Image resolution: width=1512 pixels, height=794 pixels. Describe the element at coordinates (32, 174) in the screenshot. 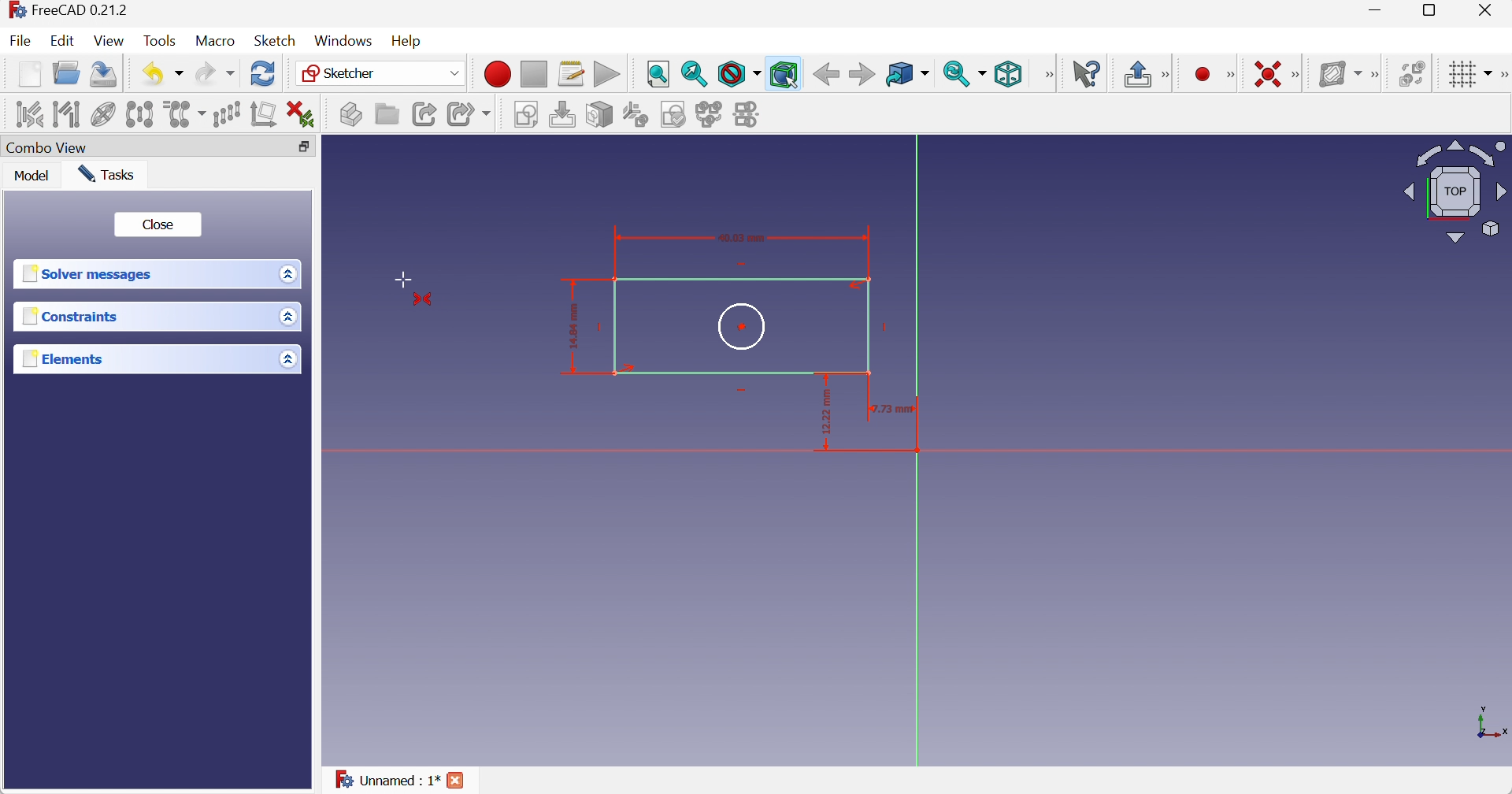

I see `Model` at that location.